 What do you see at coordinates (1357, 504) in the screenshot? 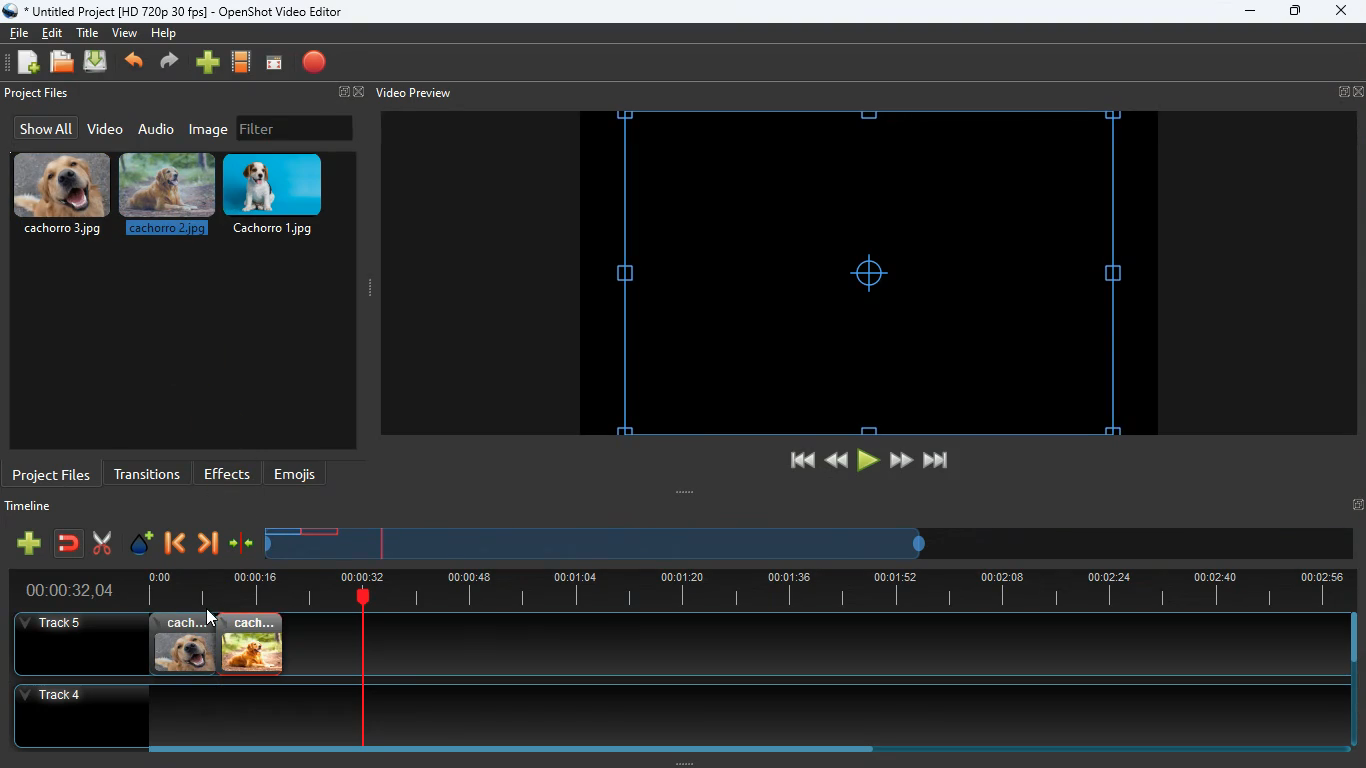
I see `Fullscreen` at bounding box center [1357, 504].